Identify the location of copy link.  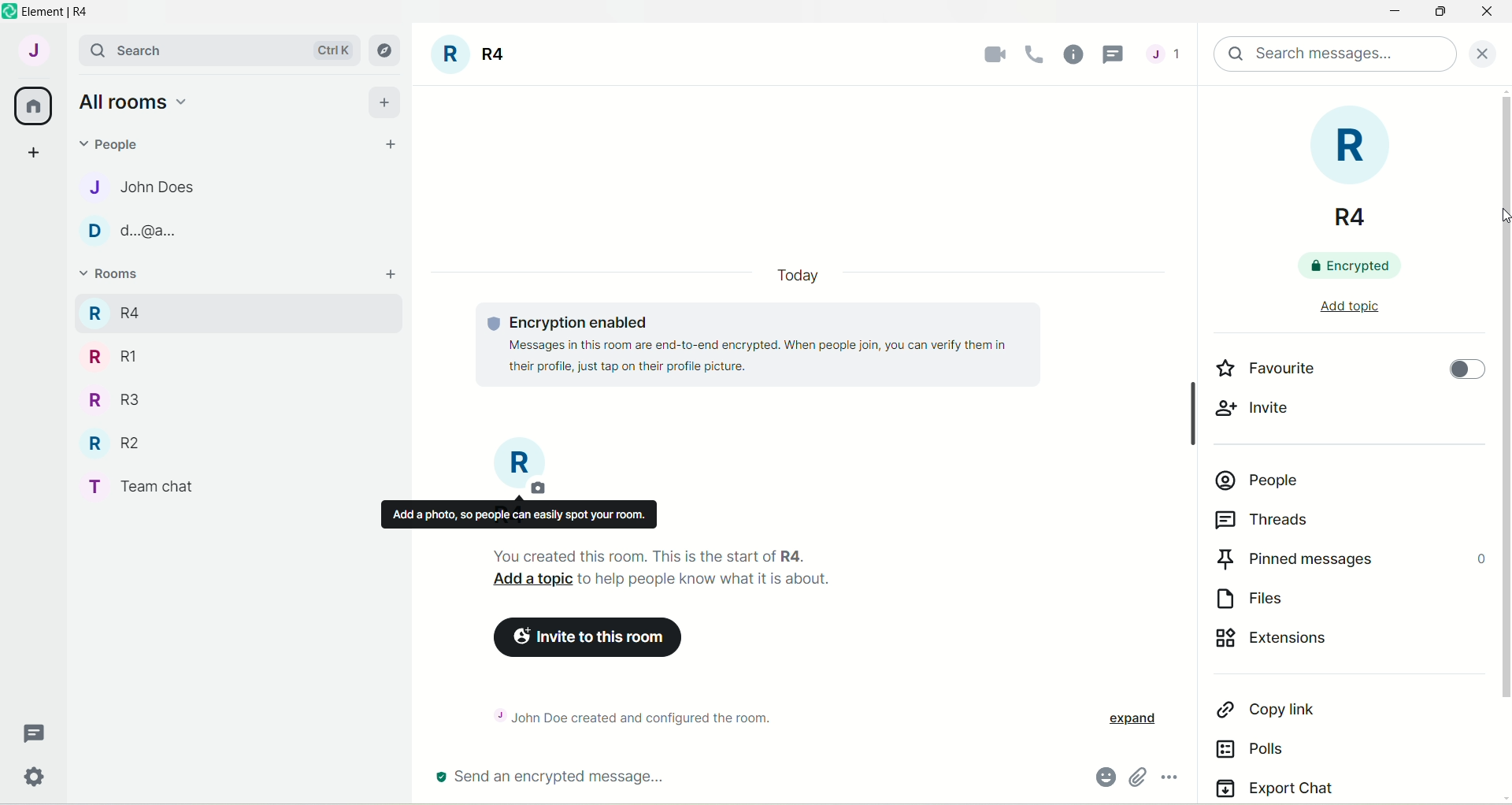
(1273, 707).